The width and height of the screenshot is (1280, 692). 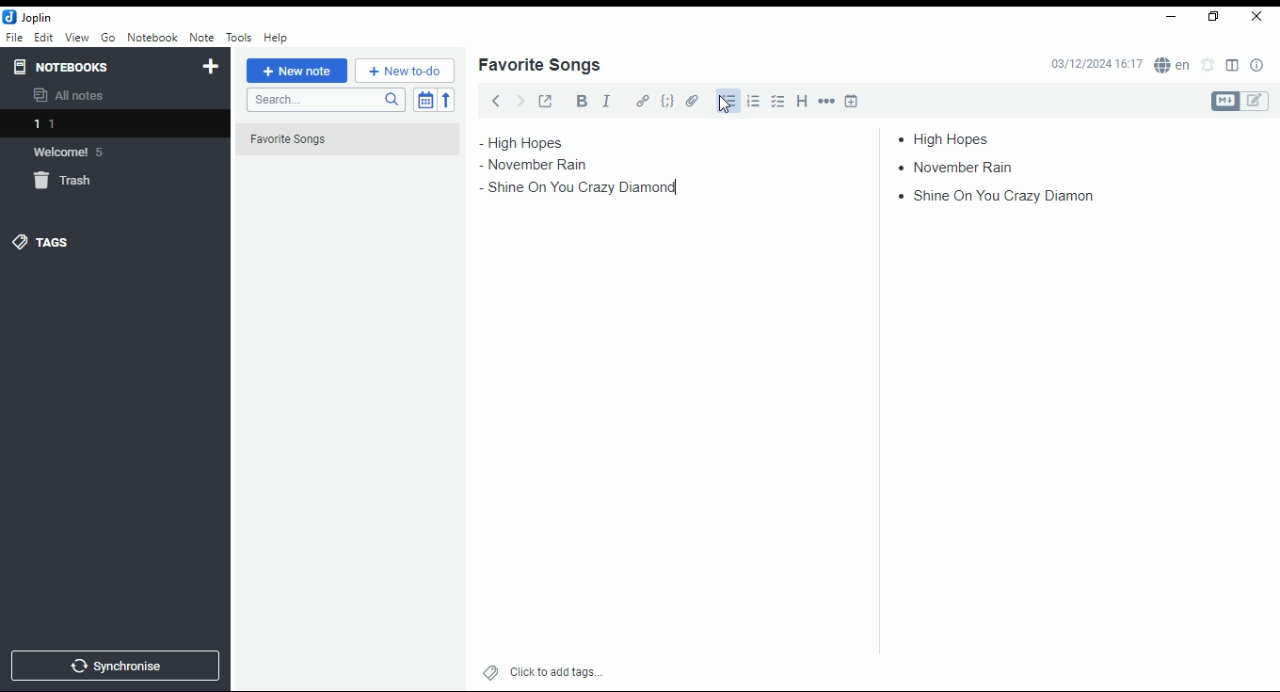 What do you see at coordinates (41, 241) in the screenshot?
I see `tags` at bounding box center [41, 241].